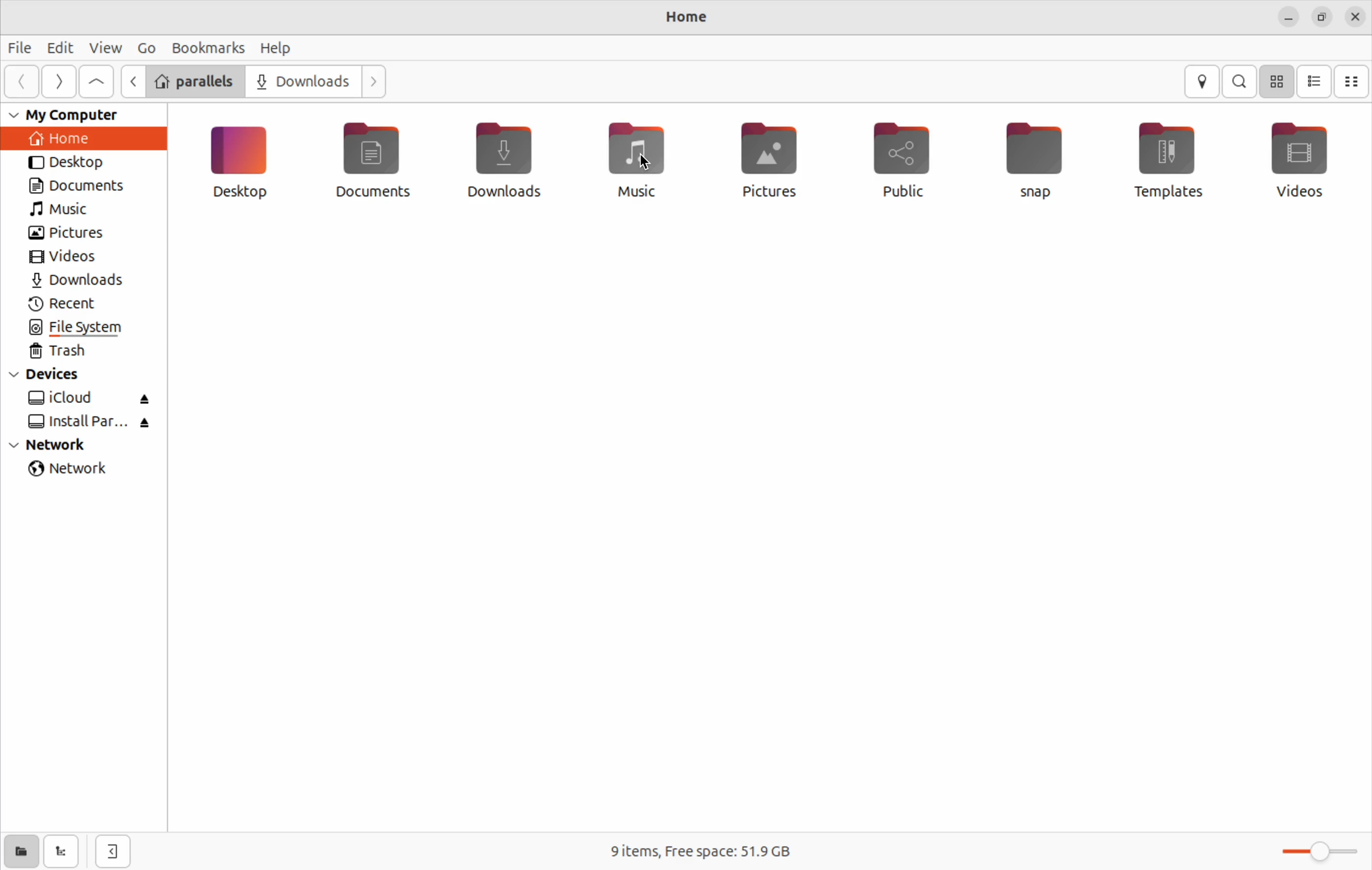 This screenshot has width=1372, height=870. What do you see at coordinates (18, 48) in the screenshot?
I see `file` at bounding box center [18, 48].